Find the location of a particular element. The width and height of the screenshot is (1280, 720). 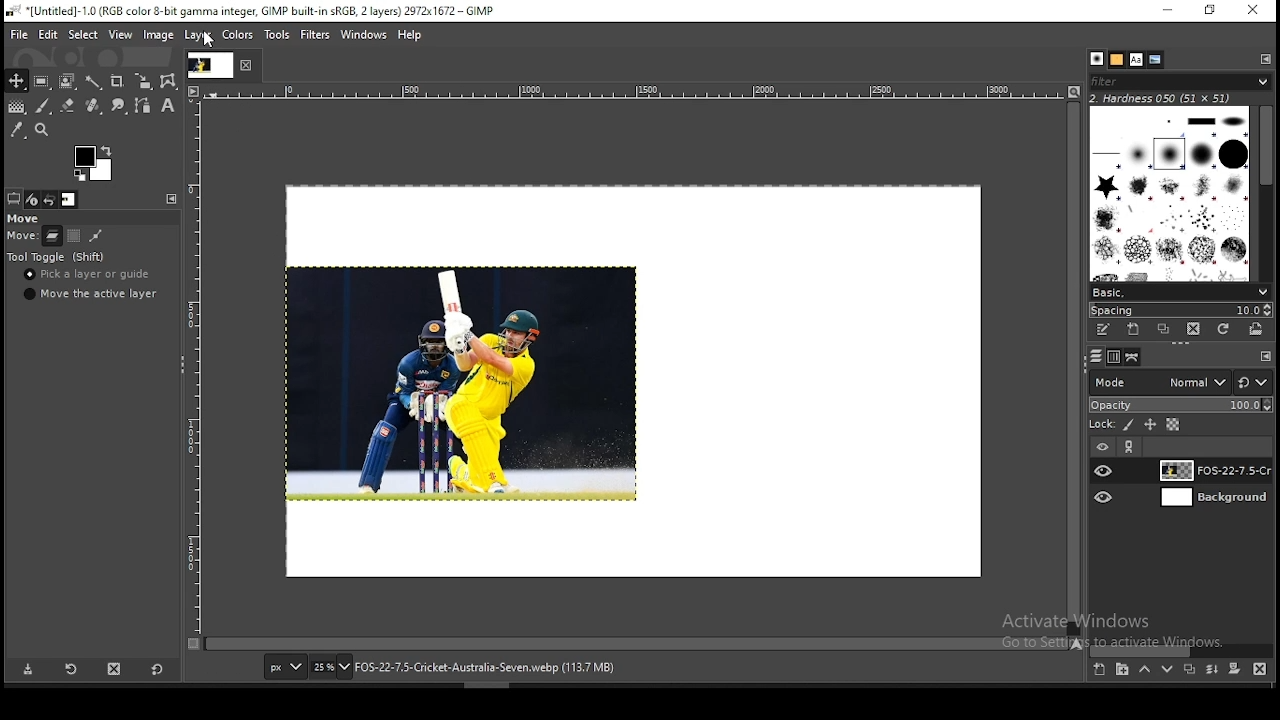

brush tool is located at coordinates (43, 106).